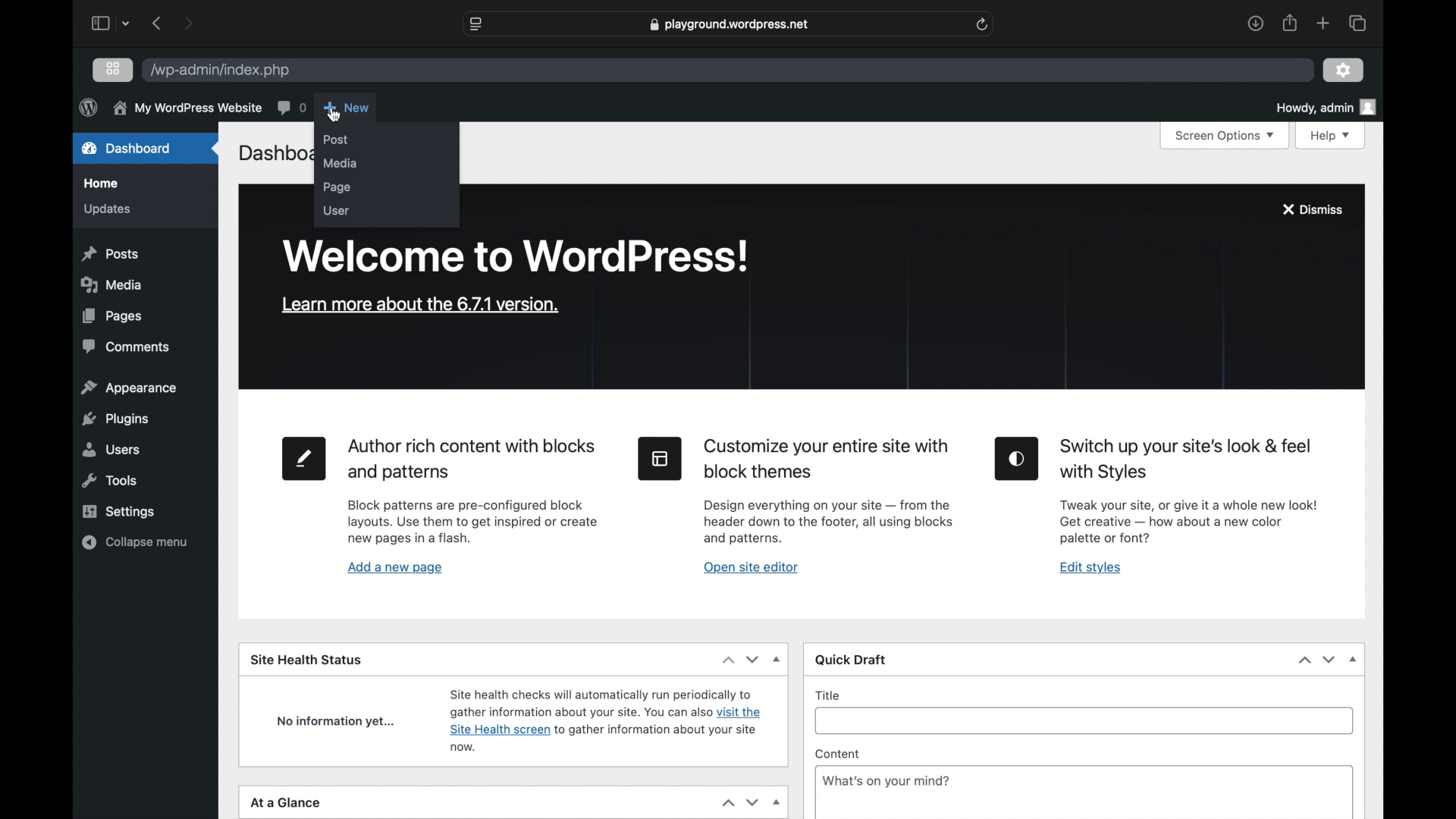  Describe the element at coordinates (223, 71) in the screenshot. I see `/wp-admin/index.php` at that location.